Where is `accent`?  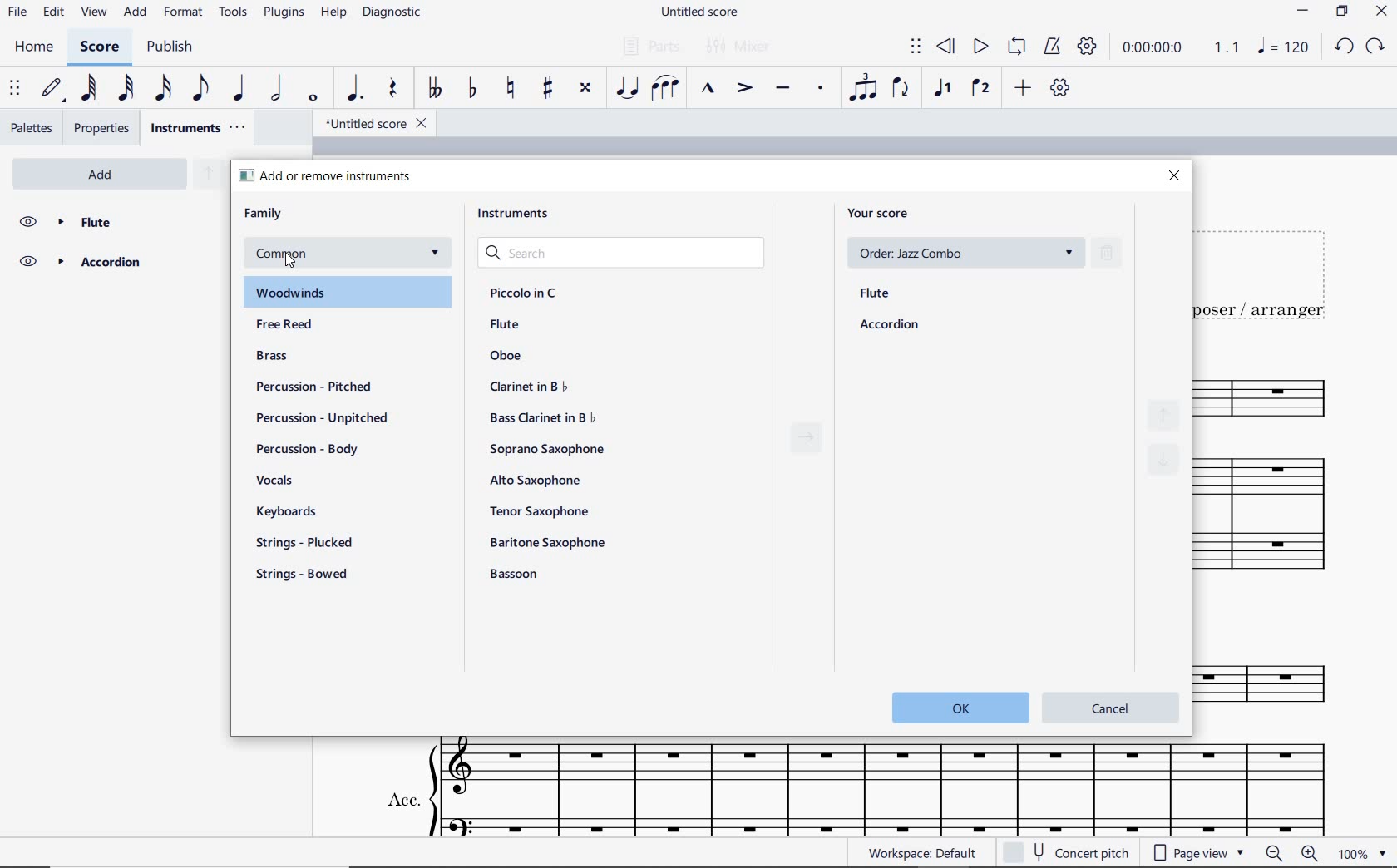
accent is located at coordinates (744, 89).